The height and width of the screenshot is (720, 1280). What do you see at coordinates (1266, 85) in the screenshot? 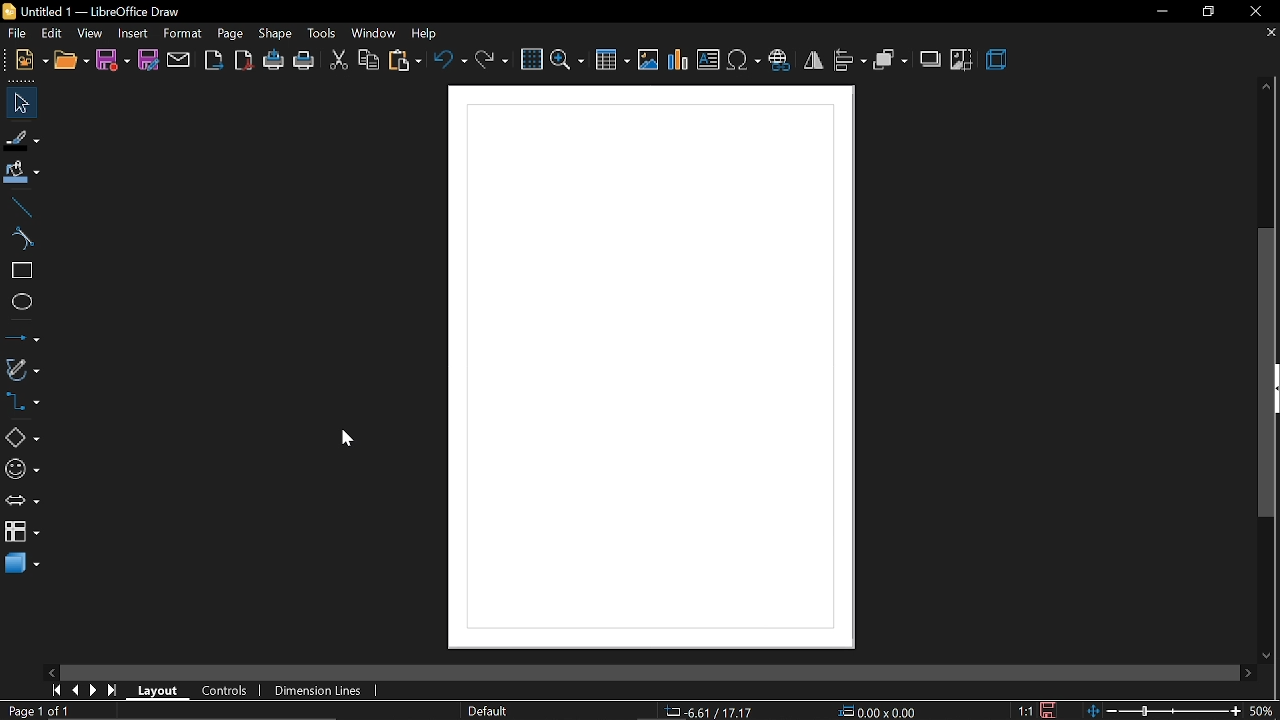
I see `move up` at bounding box center [1266, 85].